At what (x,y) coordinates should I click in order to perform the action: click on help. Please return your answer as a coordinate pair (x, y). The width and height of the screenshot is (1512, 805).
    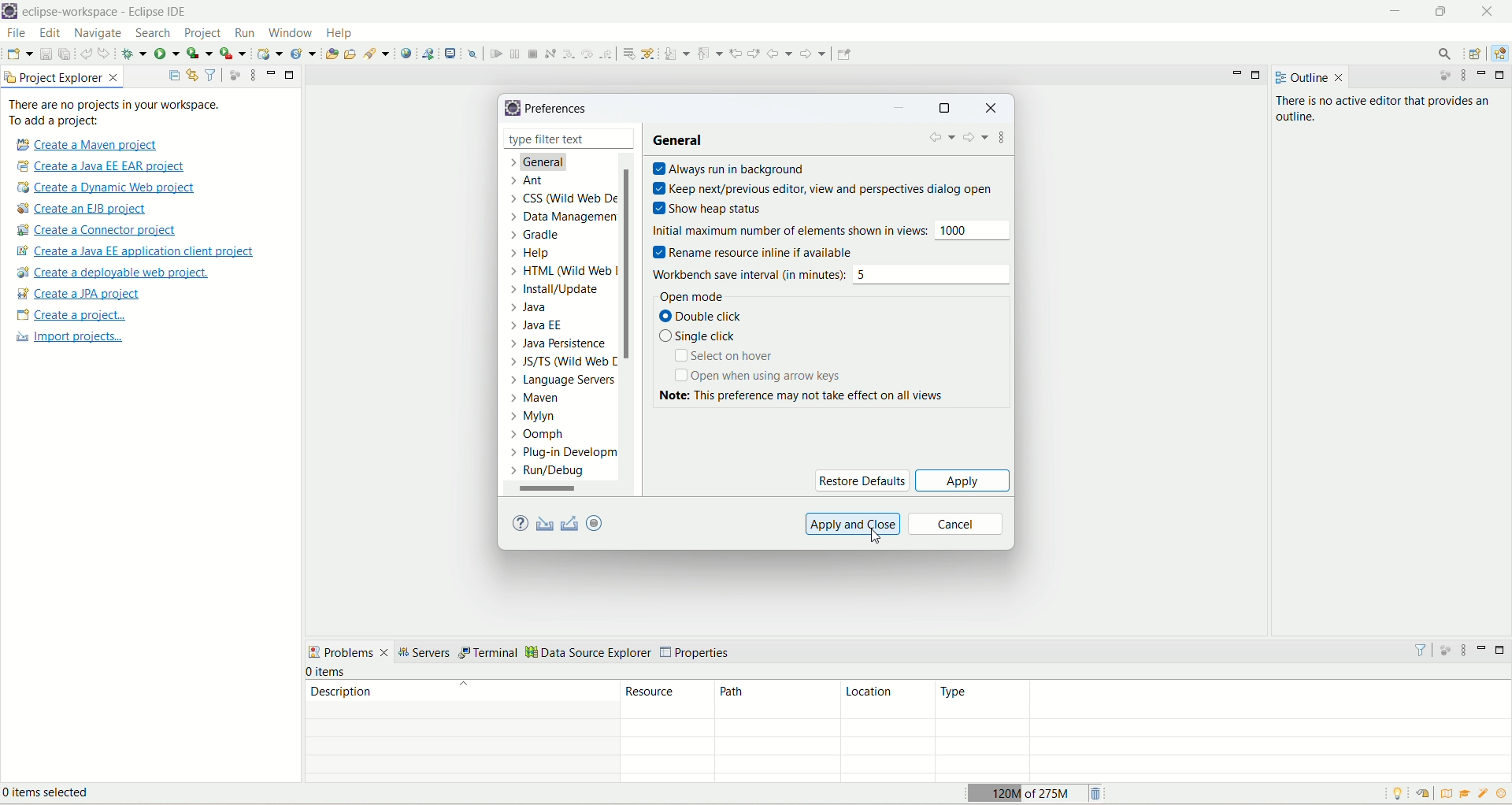
    Looking at the image, I should click on (518, 525).